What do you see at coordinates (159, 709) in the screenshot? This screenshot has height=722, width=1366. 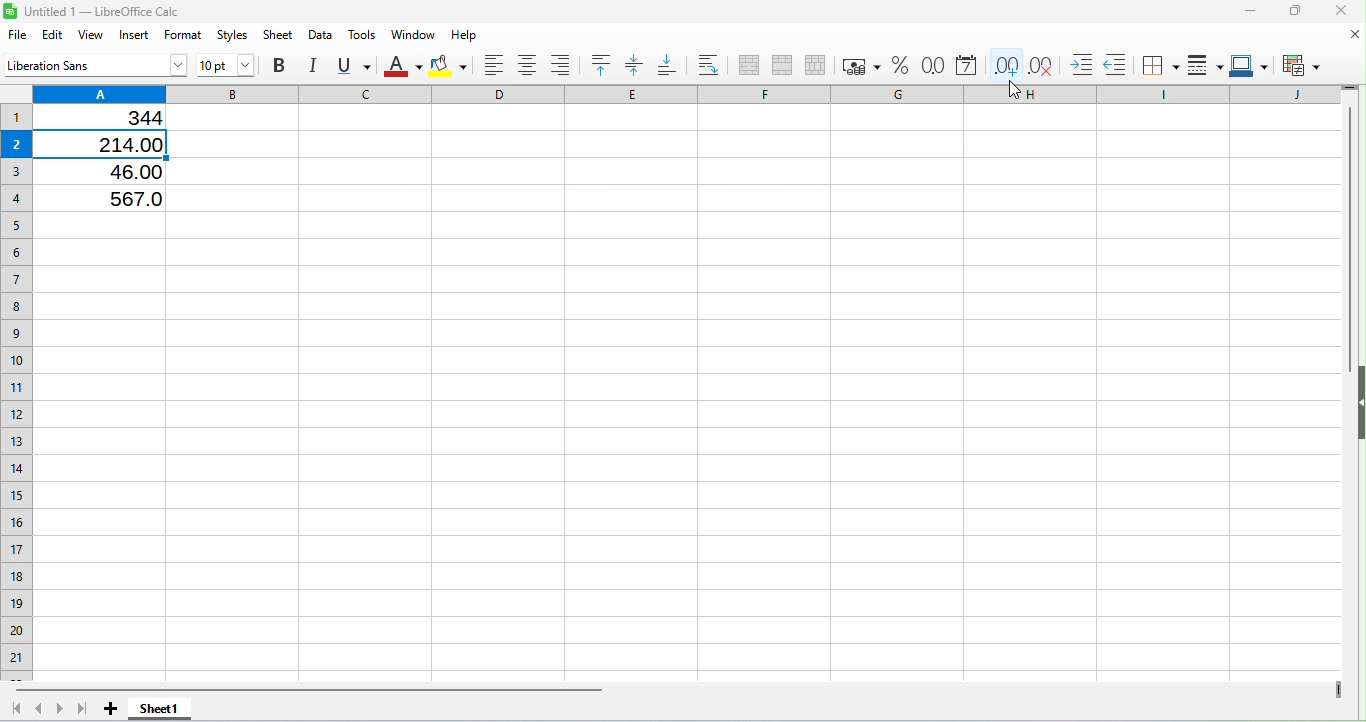 I see `Sheet1` at bounding box center [159, 709].